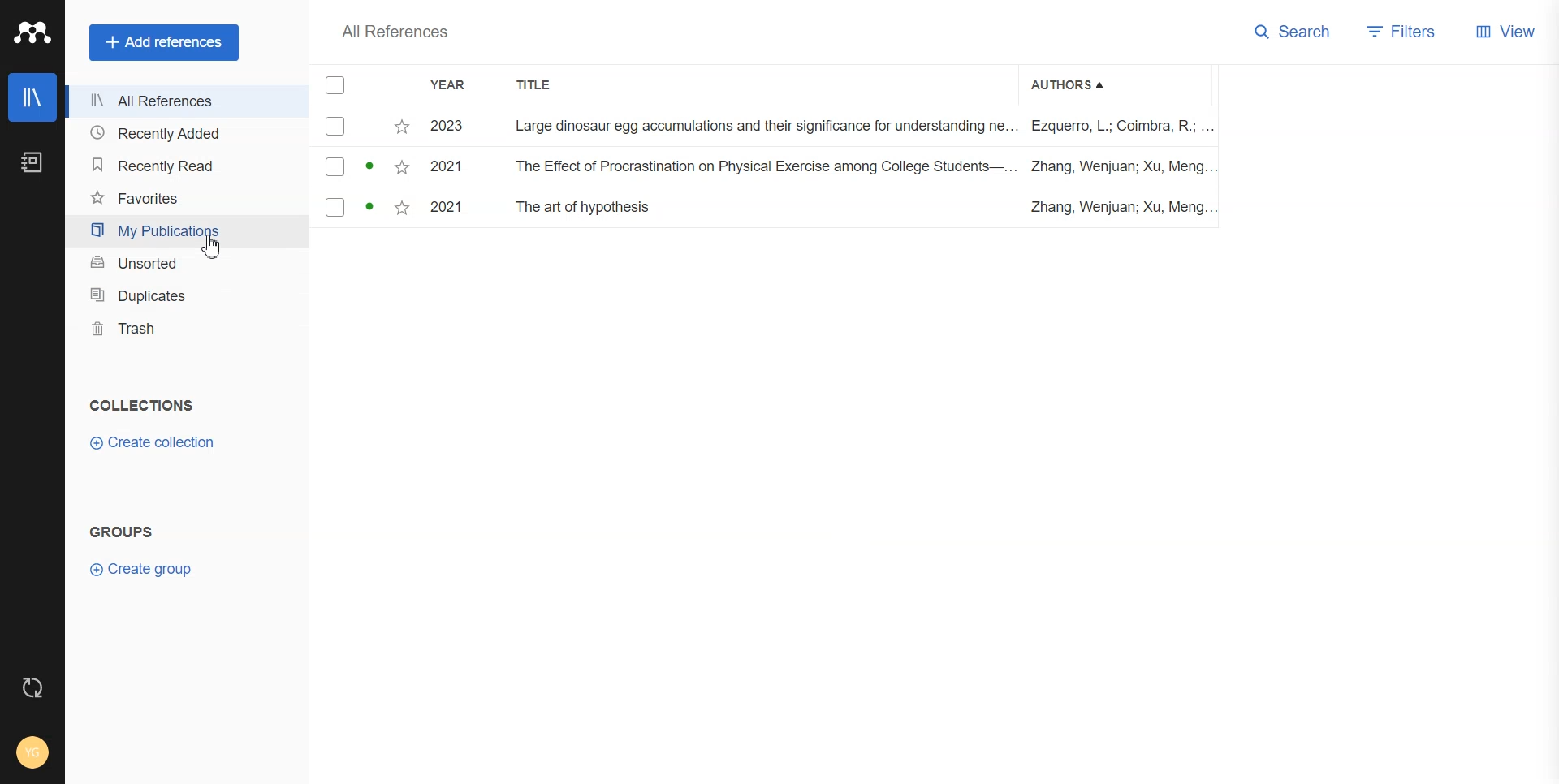  What do you see at coordinates (767, 166) in the screenshot?
I see `The Effect of Procrastination on Physical Exercise among College Students—...` at bounding box center [767, 166].